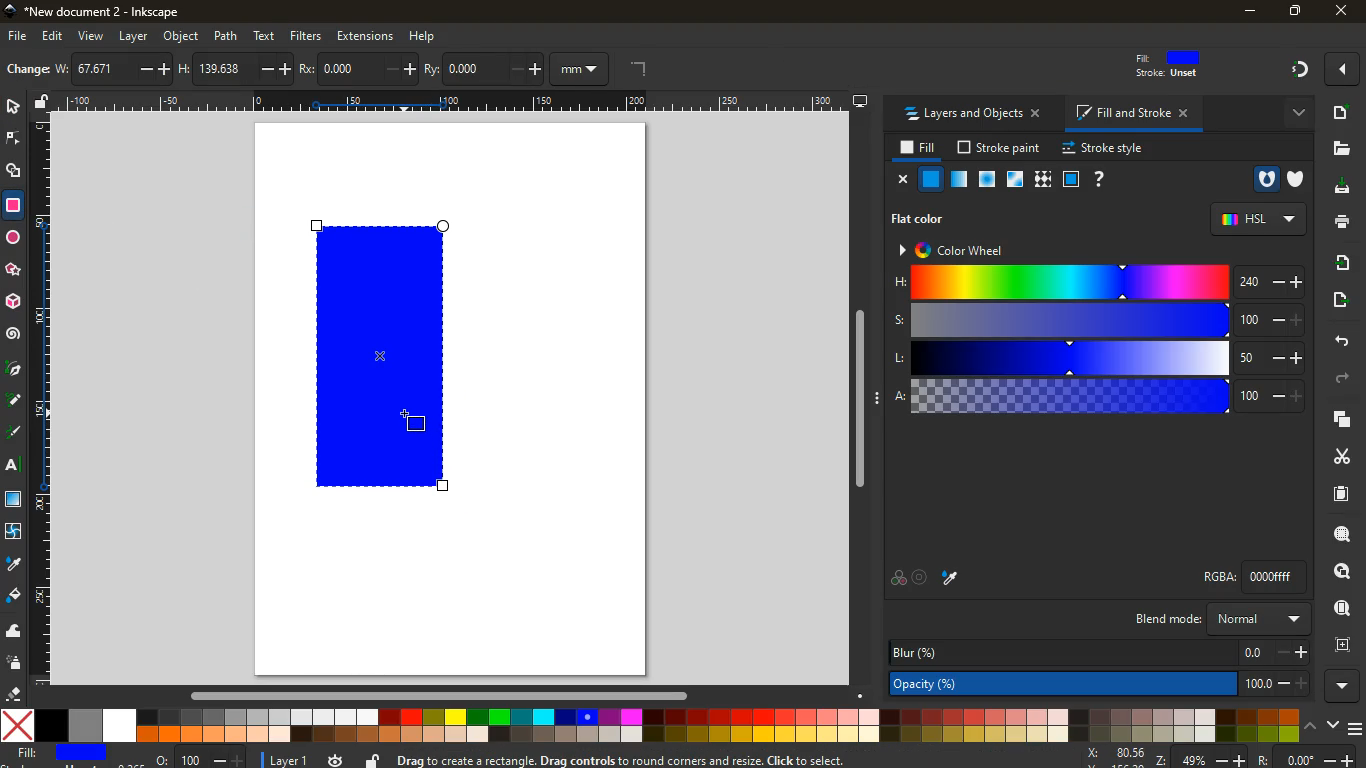 Image resolution: width=1366 pixels, height=768 pixels. Describe the element at coordinates (400, 357) in the screenshot. I see `rectangle` at that location.